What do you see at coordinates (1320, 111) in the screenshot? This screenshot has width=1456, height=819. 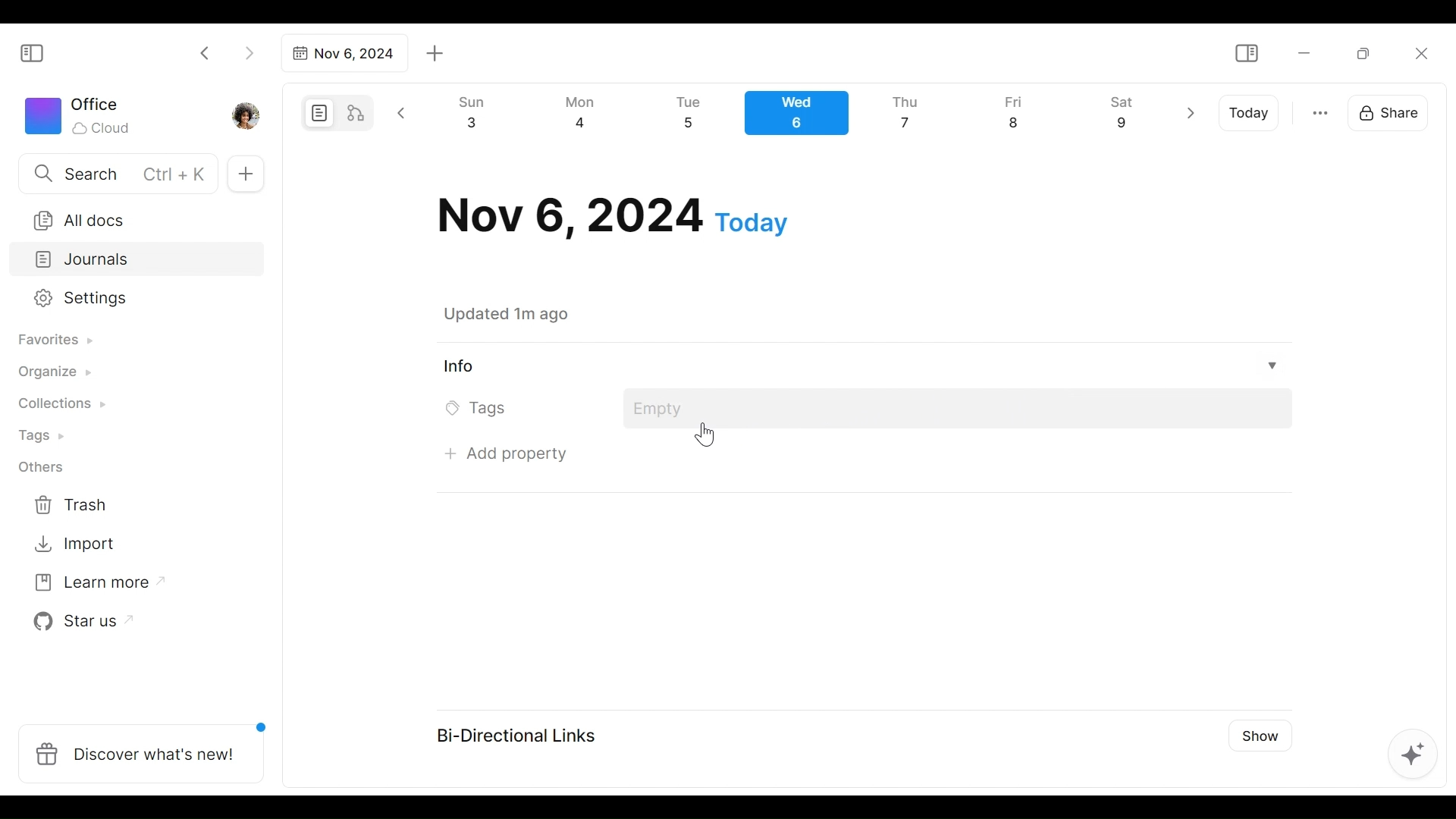 I see `more otions` at bounding box center [1320, 111].